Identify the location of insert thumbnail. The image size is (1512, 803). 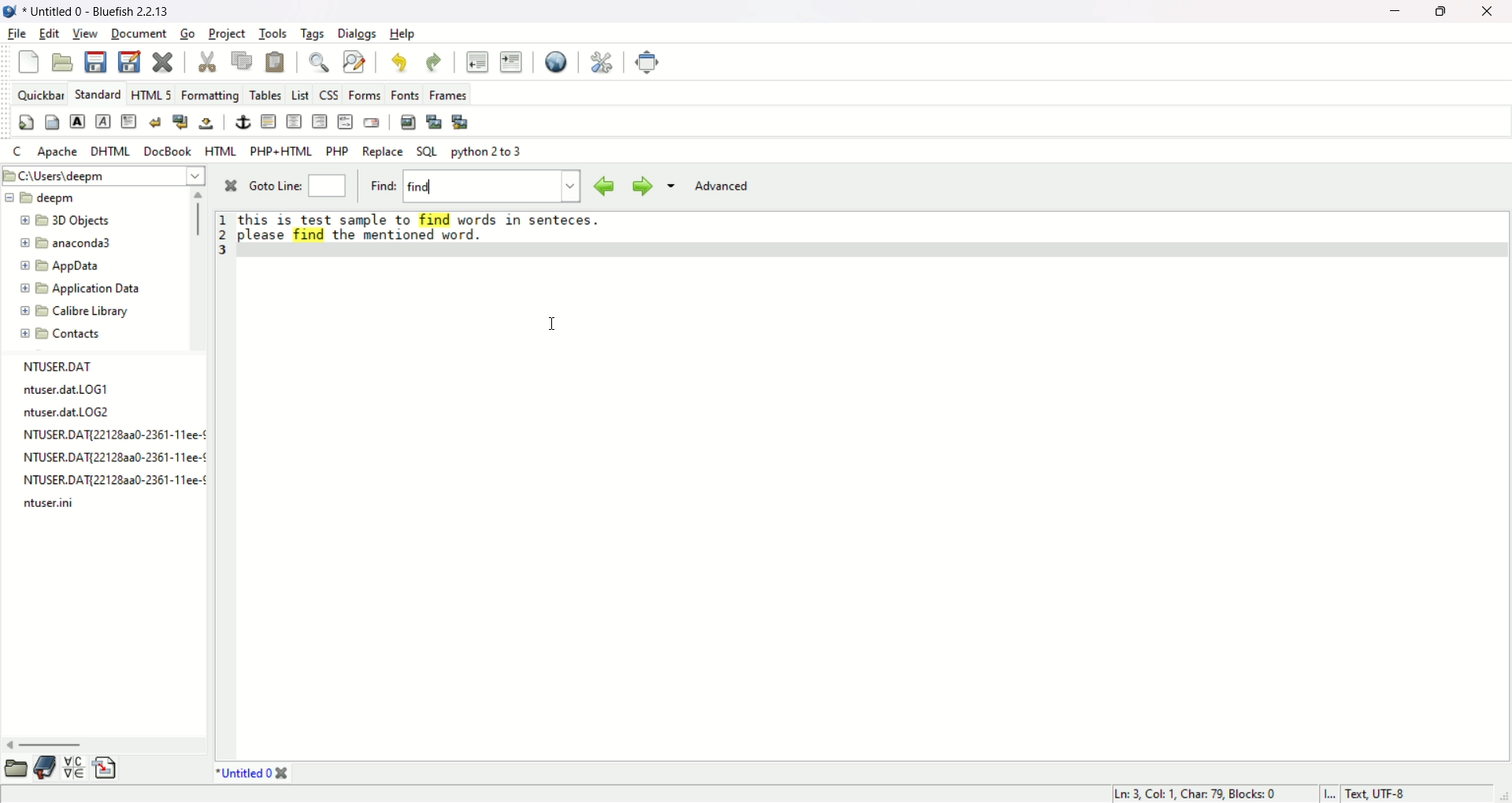
(432, 122).